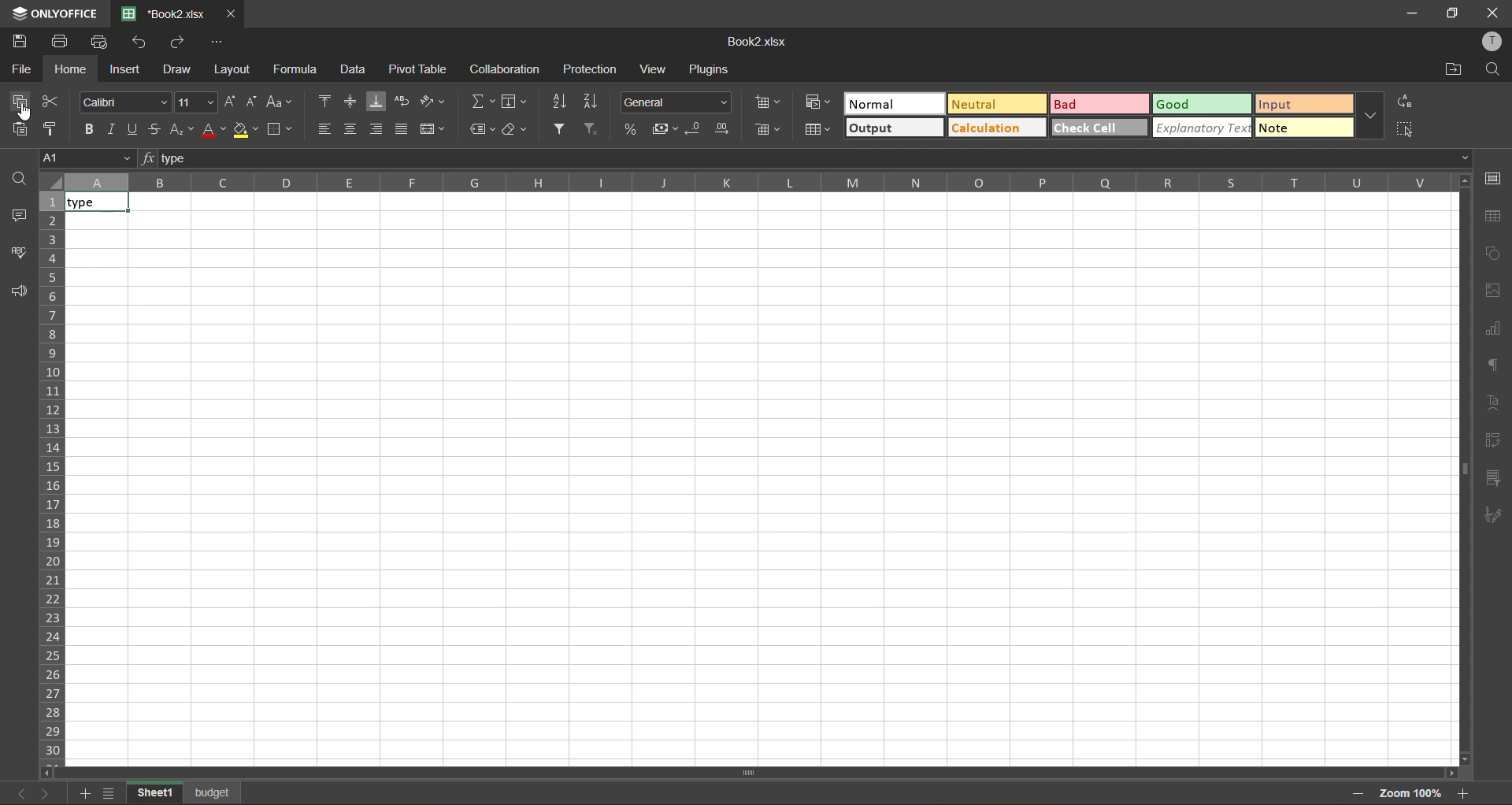  What do you see at coordinates (1466, 793) in the screenshot?
I see `zoom in` at bounding box center [1466, 793].